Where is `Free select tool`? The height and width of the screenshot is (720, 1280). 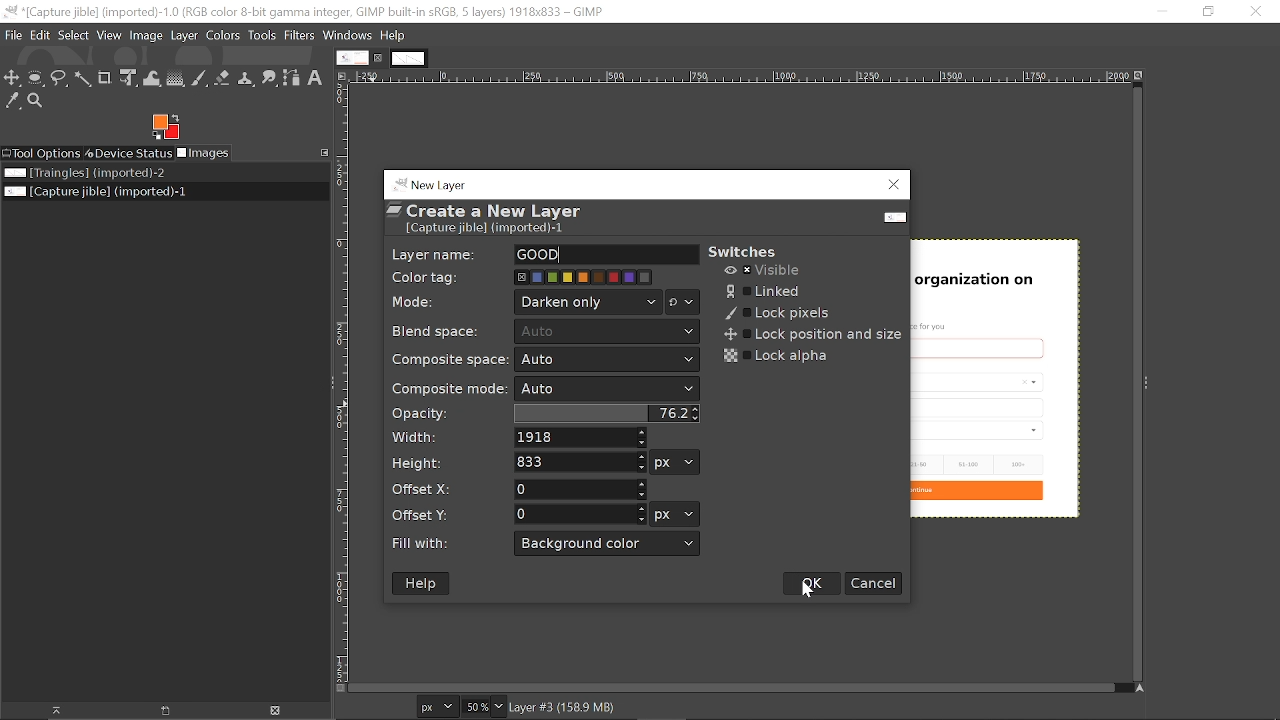
Free select tool is located at coordinates (59, 79).